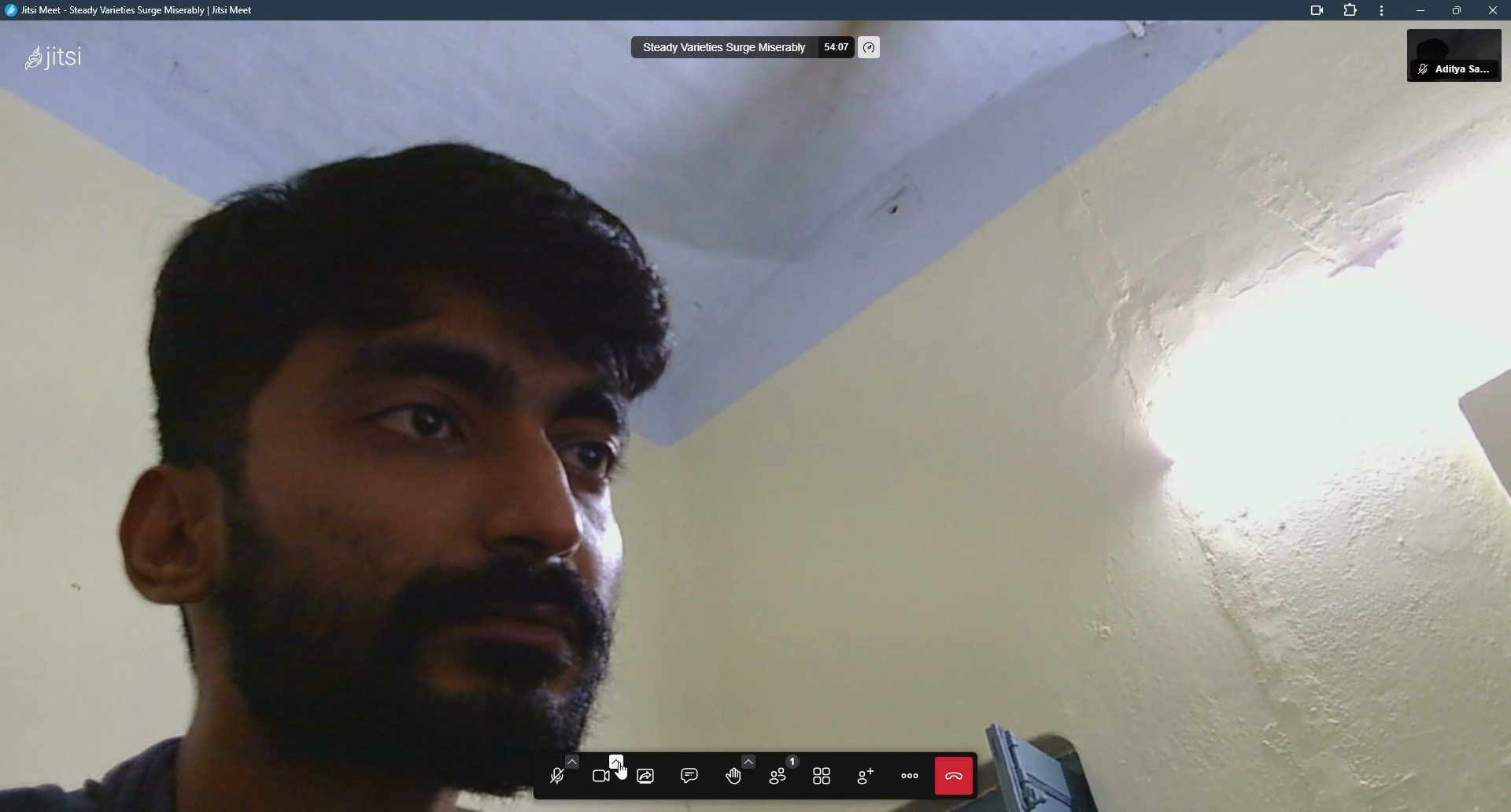 The image size is (1511, 812). Describe the element at coordinates (1381, 13) in the screenshot. I see `more` at that location.